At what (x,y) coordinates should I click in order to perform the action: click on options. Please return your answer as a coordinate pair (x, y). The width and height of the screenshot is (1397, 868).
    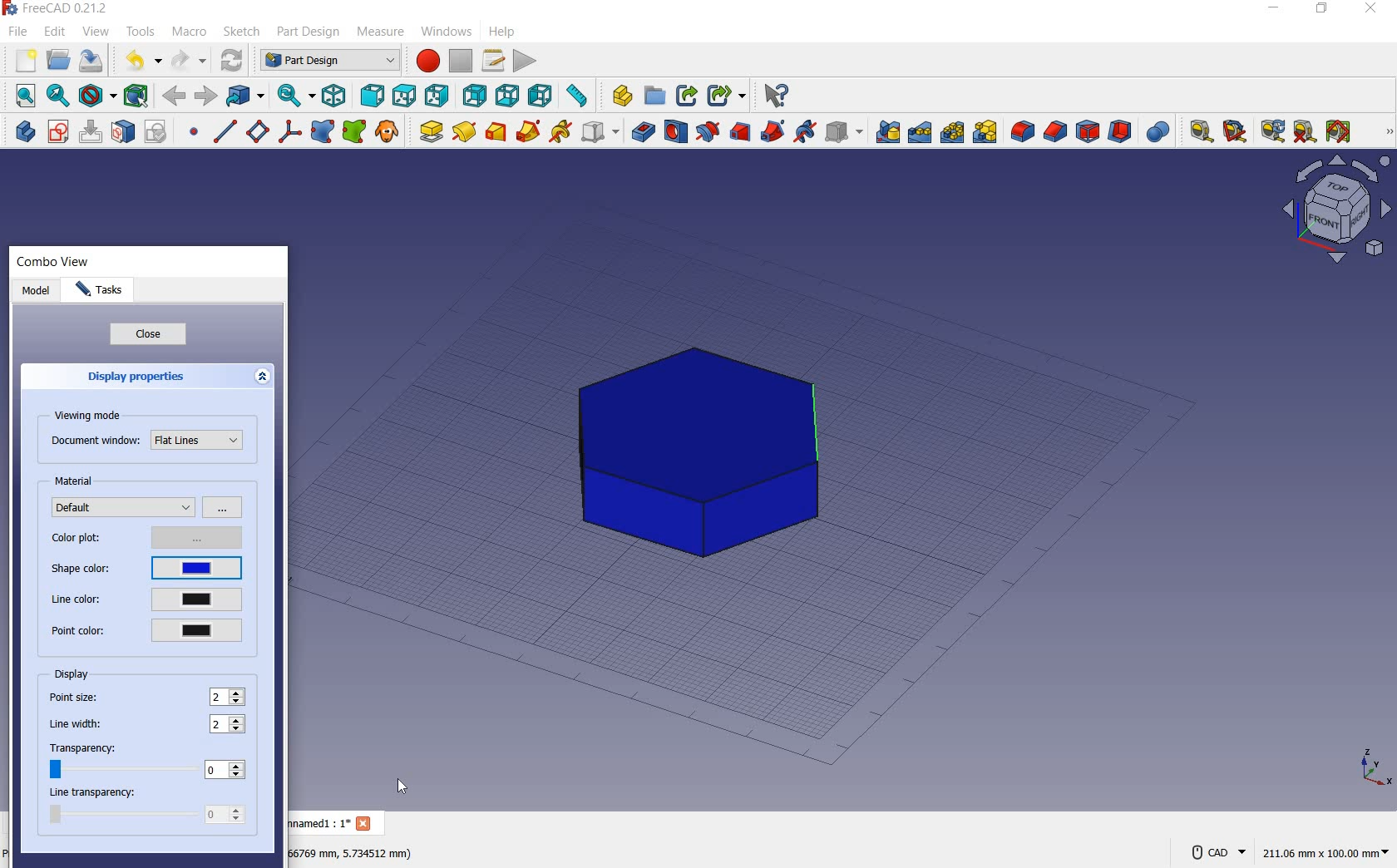
    Looking at the image, I should click on (195, 536).